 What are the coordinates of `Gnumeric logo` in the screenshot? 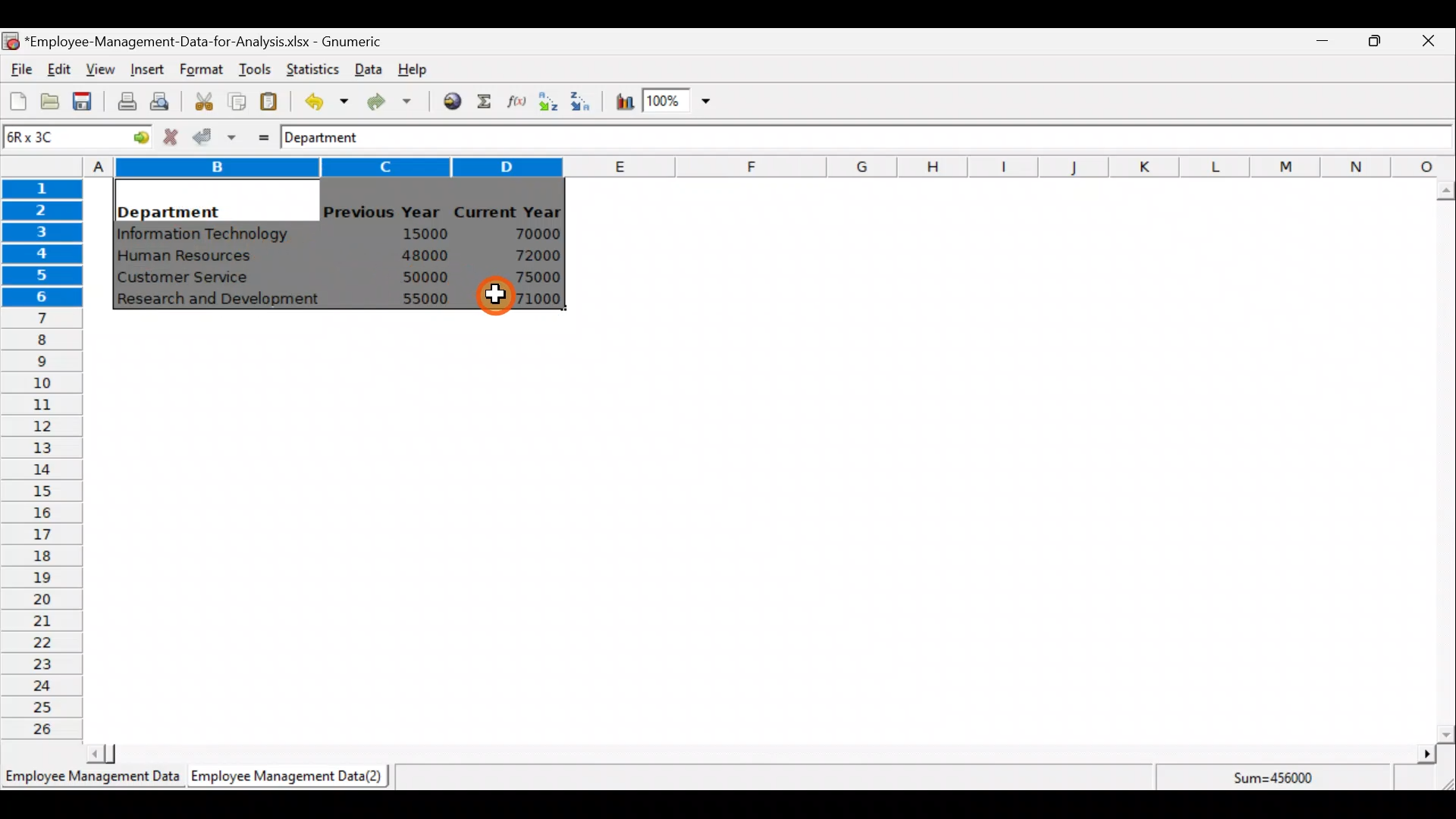 It's located at (11, 42).